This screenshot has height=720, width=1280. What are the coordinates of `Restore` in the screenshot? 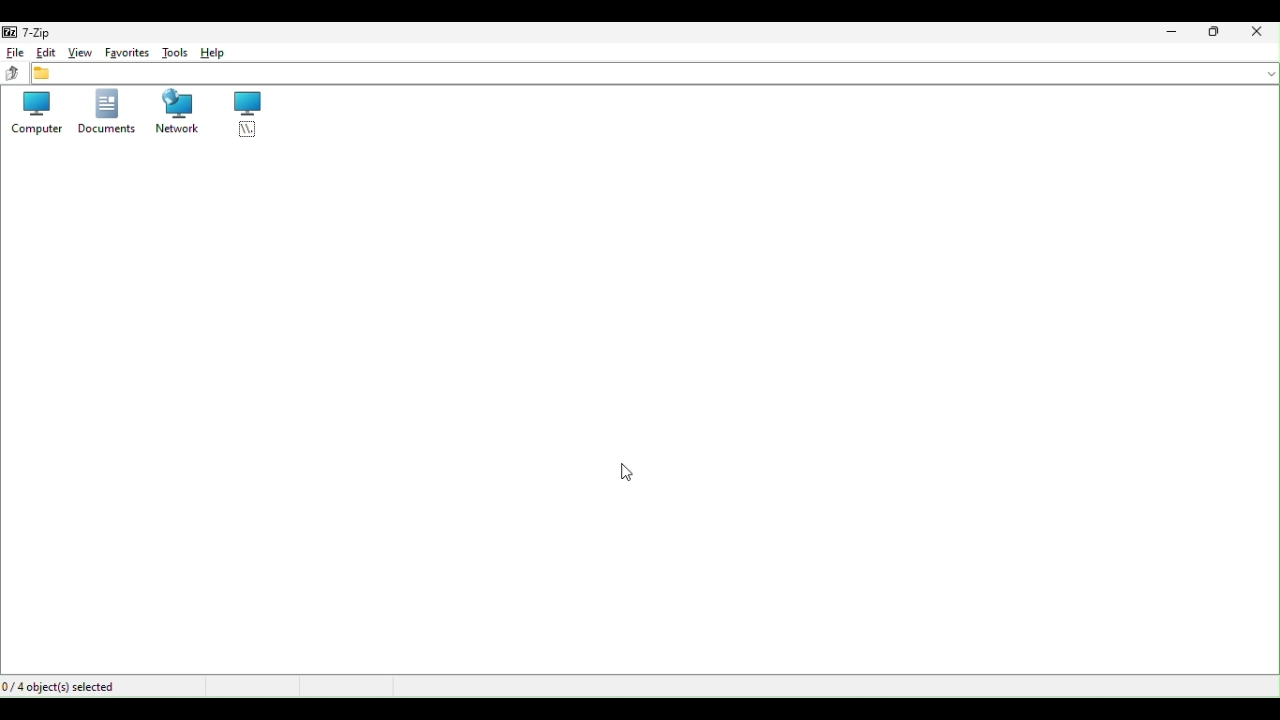 It's located at (1216, 33).